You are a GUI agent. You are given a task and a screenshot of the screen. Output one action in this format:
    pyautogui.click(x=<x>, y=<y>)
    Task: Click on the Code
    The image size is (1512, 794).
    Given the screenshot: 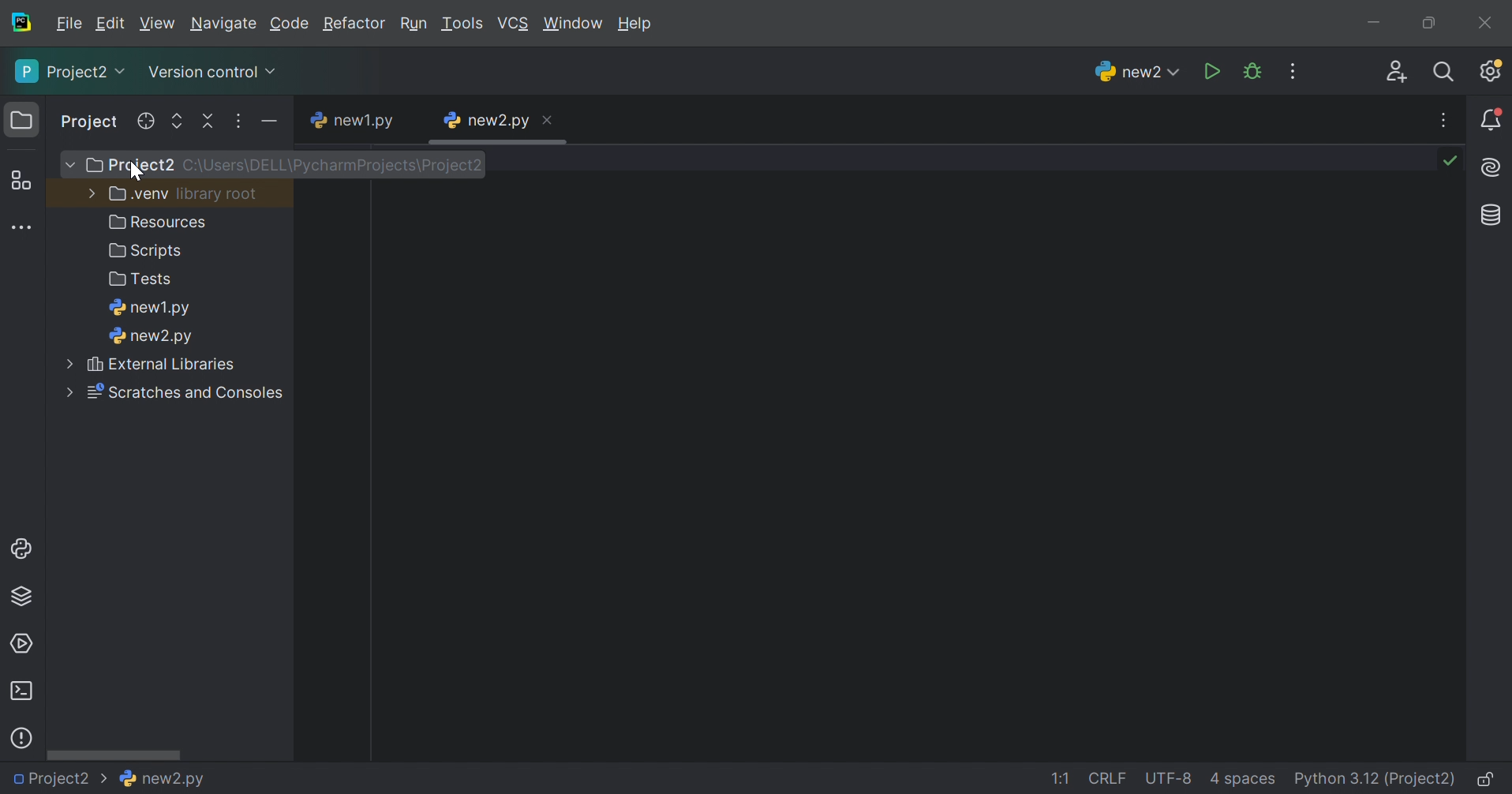 What is the action you would take?
    pyautogui.click(x=290, y=24)
    